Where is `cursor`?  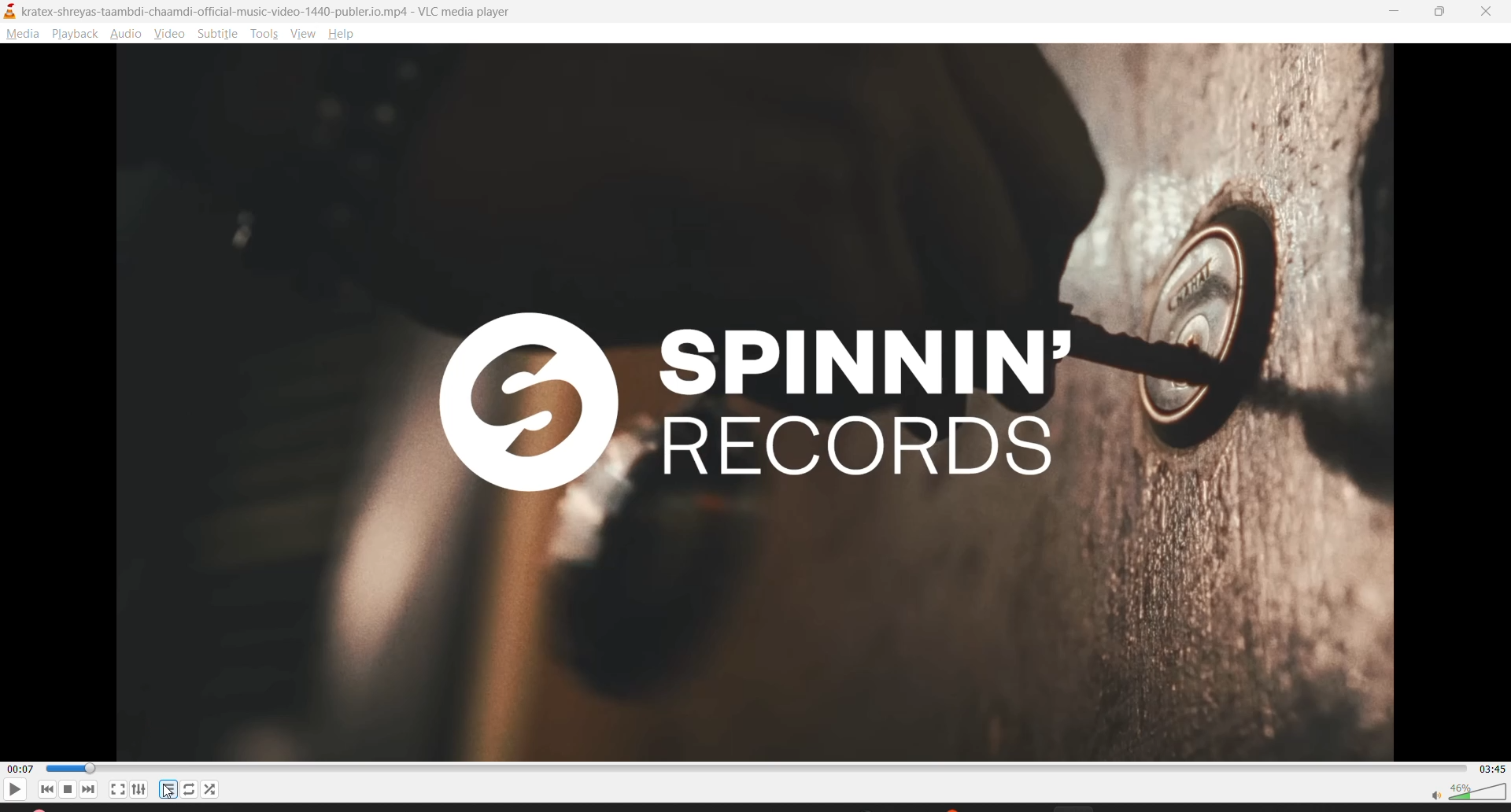 cursor is located at coordinates (166, 792).